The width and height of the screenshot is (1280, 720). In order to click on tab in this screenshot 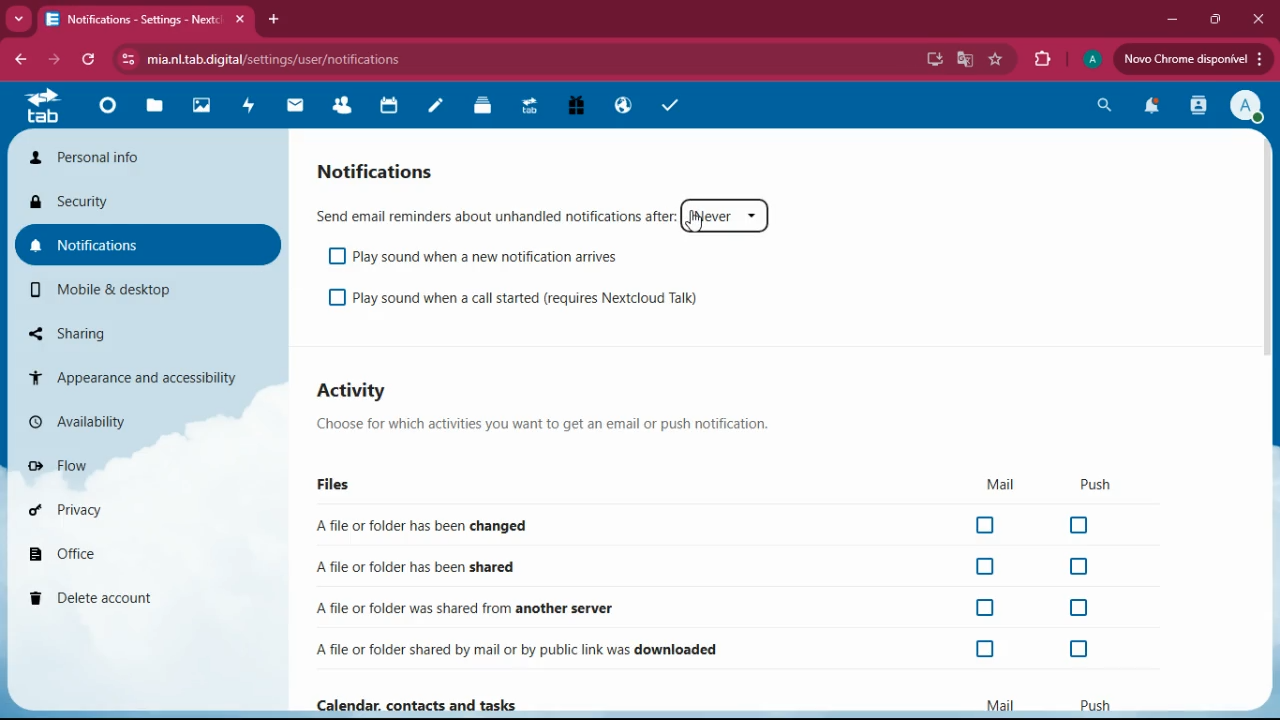, I will do `click(150, 21)`.